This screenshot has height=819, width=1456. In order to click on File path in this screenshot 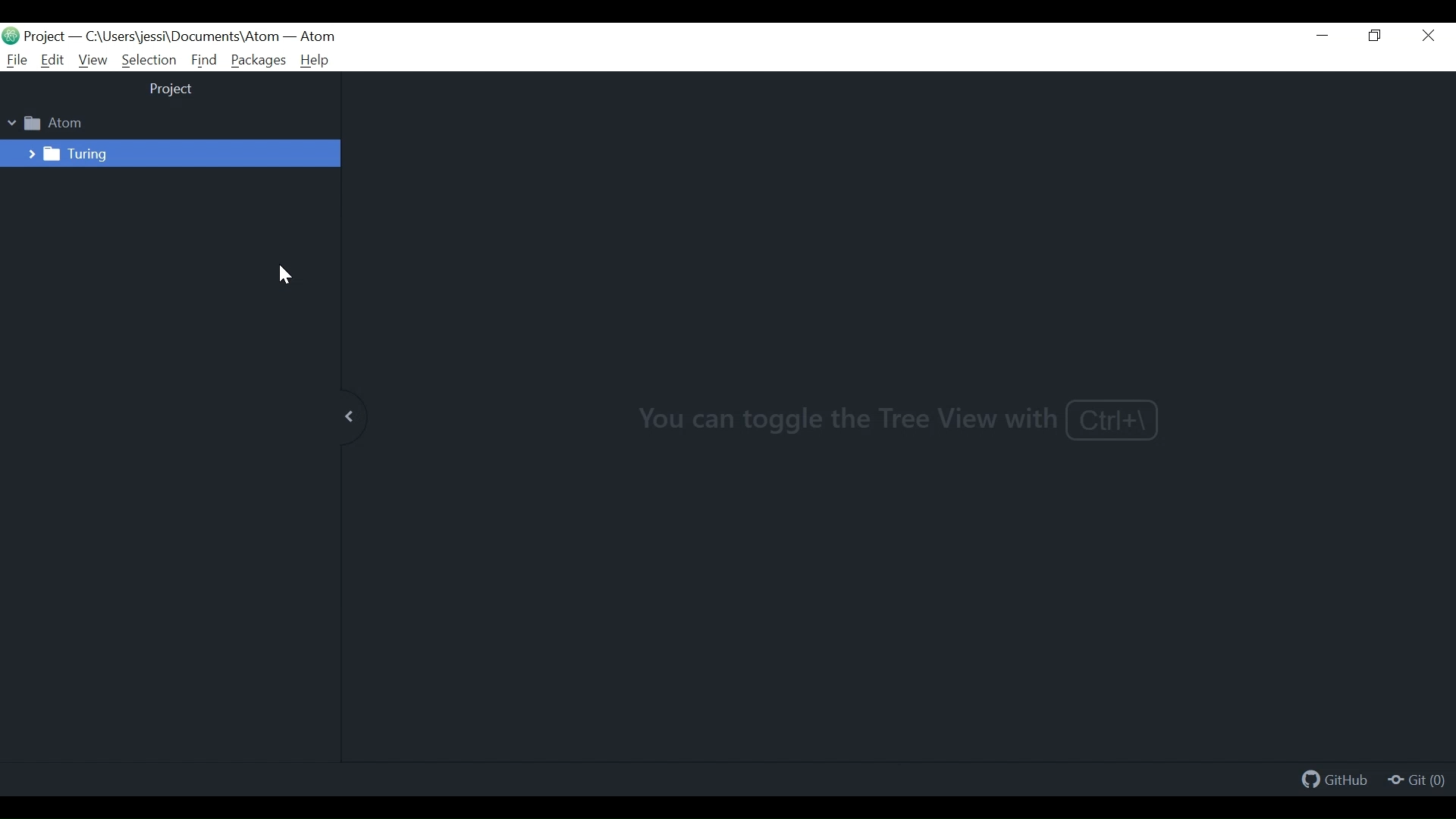, I will do `click(179, 37)`.